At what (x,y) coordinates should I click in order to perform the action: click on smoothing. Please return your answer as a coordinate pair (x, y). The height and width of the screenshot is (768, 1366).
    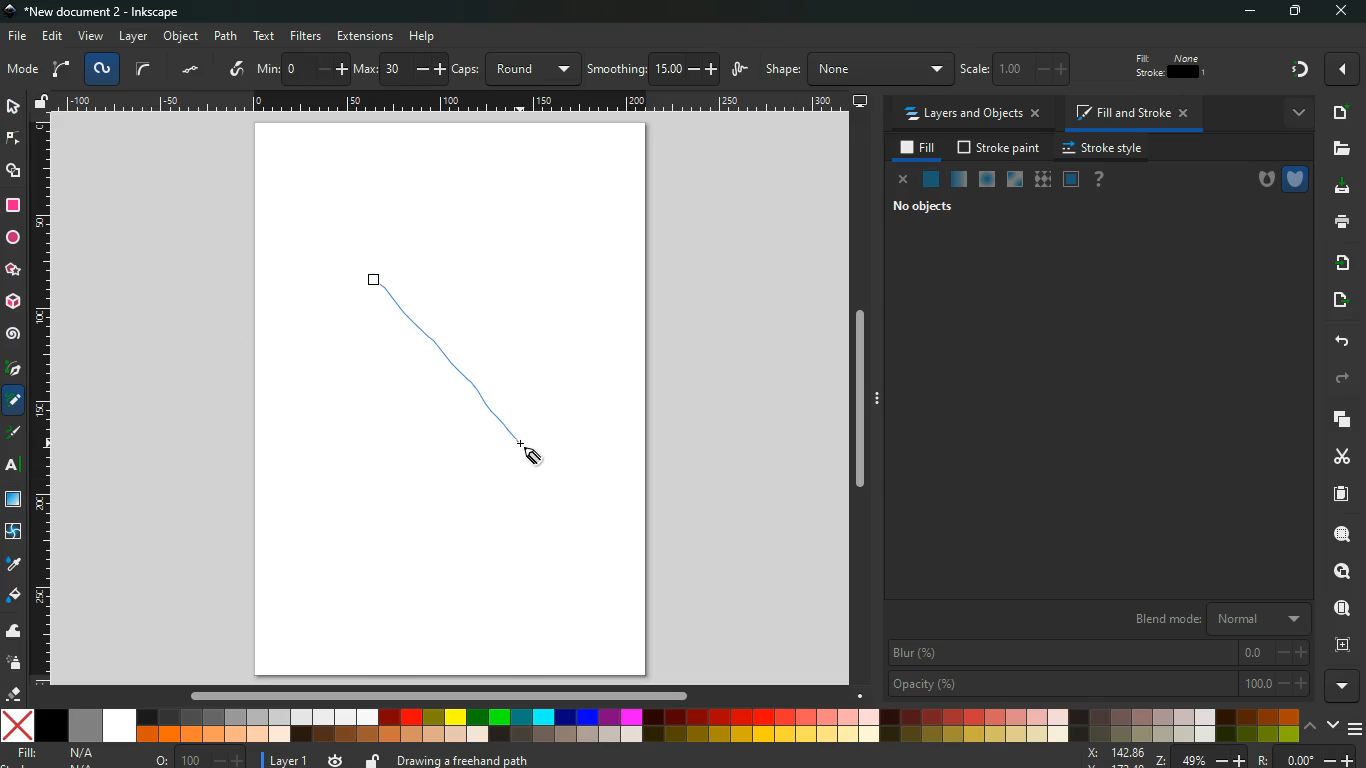
    Looking at the image, I should click on (652, 68).